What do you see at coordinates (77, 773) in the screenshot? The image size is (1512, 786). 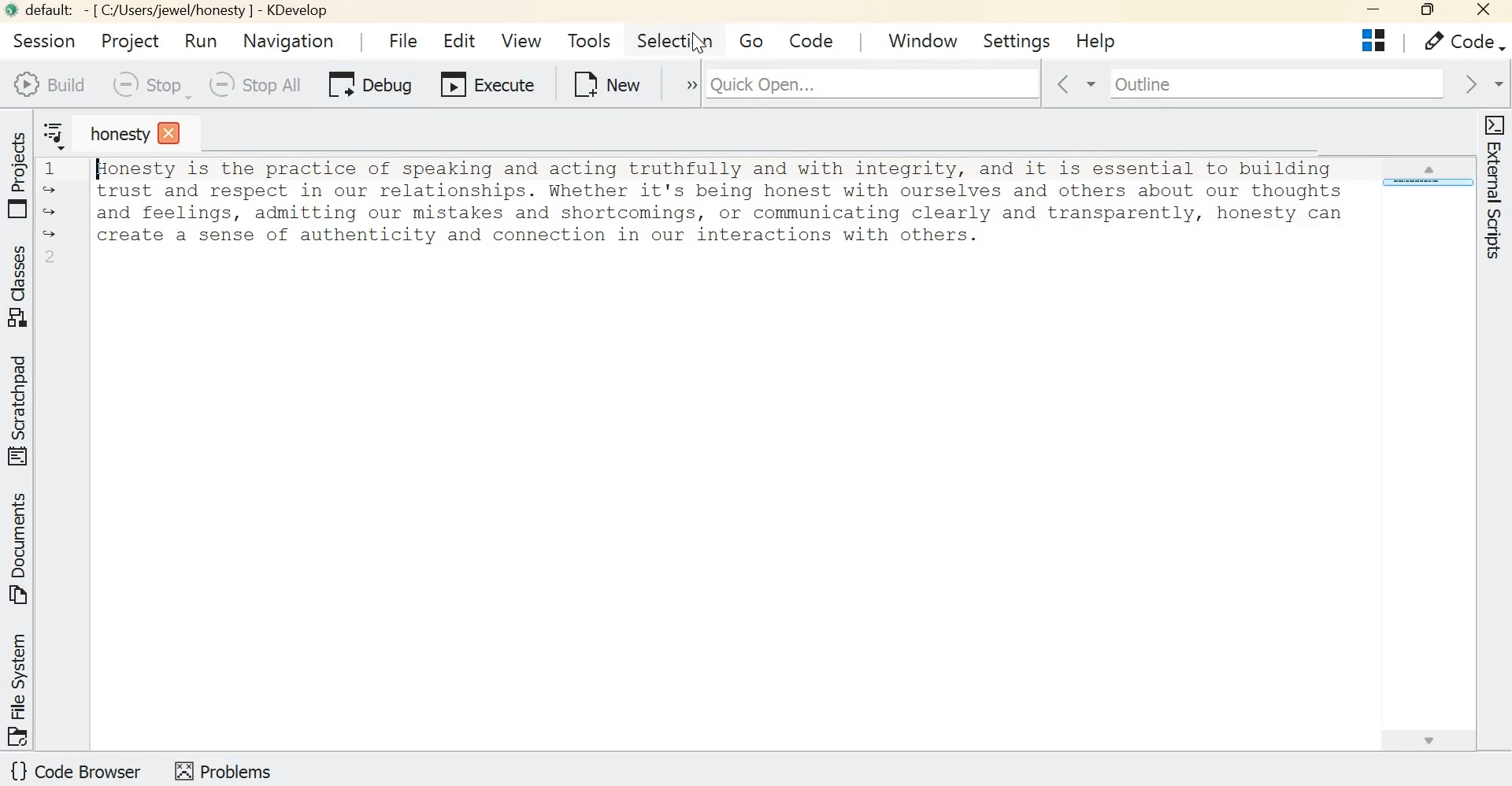 I see `Toggle 'code browser' tool view` at bounding box center [77, 773].